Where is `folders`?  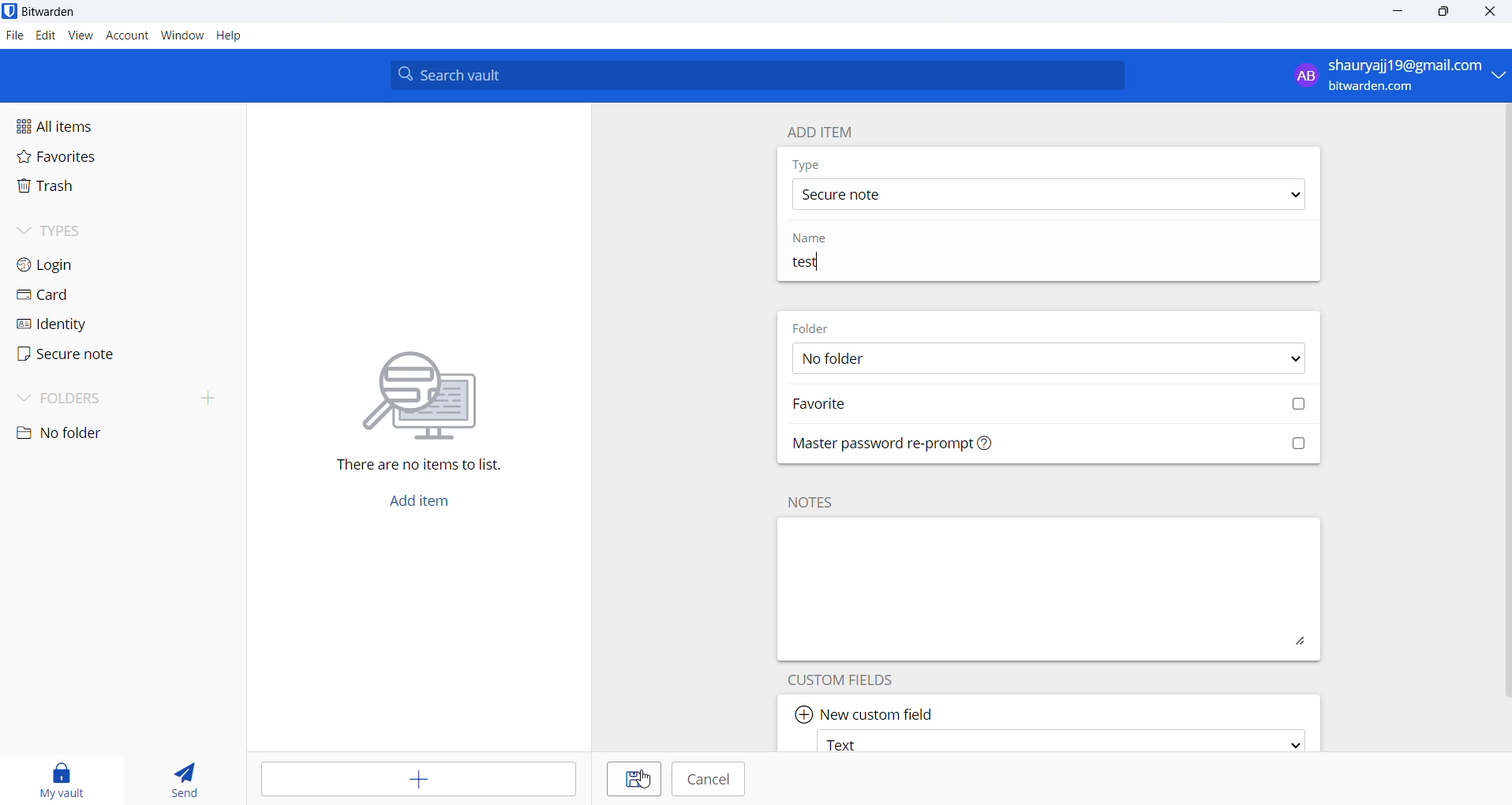
folders is located at coordinates (123, 401).